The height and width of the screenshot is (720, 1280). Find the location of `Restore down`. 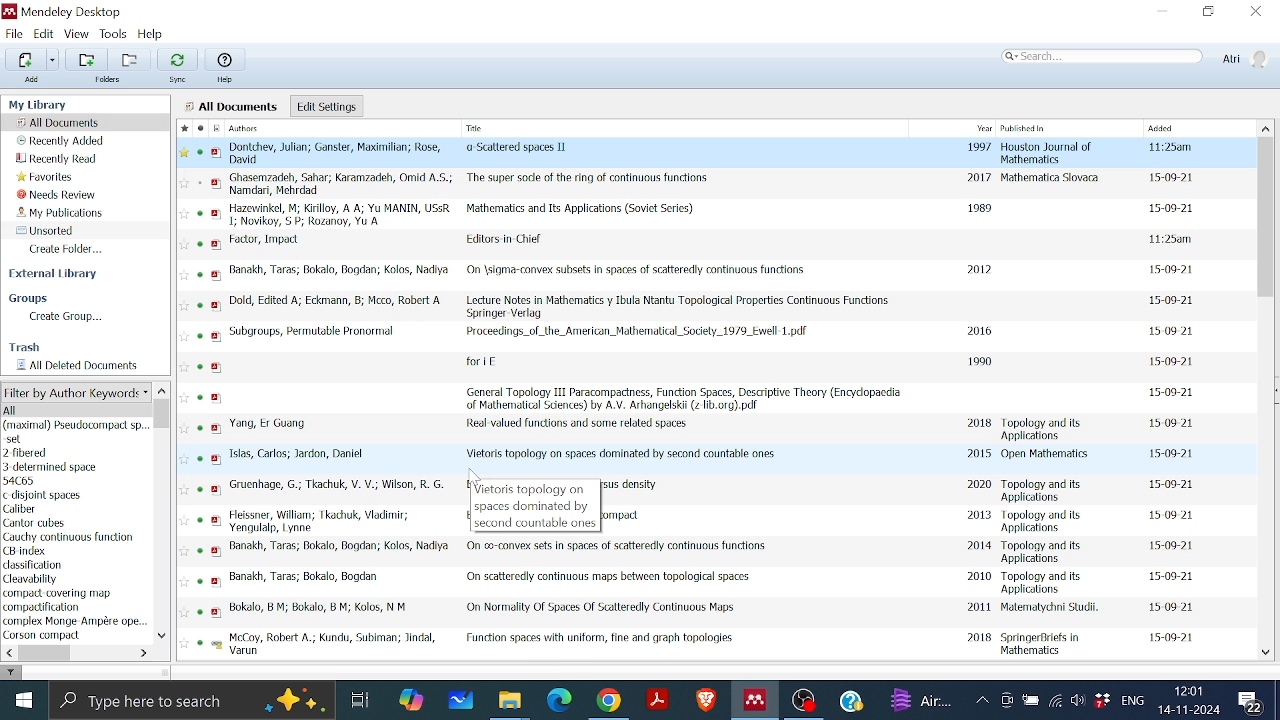

Restore down is located at coordinates (1209, 12).